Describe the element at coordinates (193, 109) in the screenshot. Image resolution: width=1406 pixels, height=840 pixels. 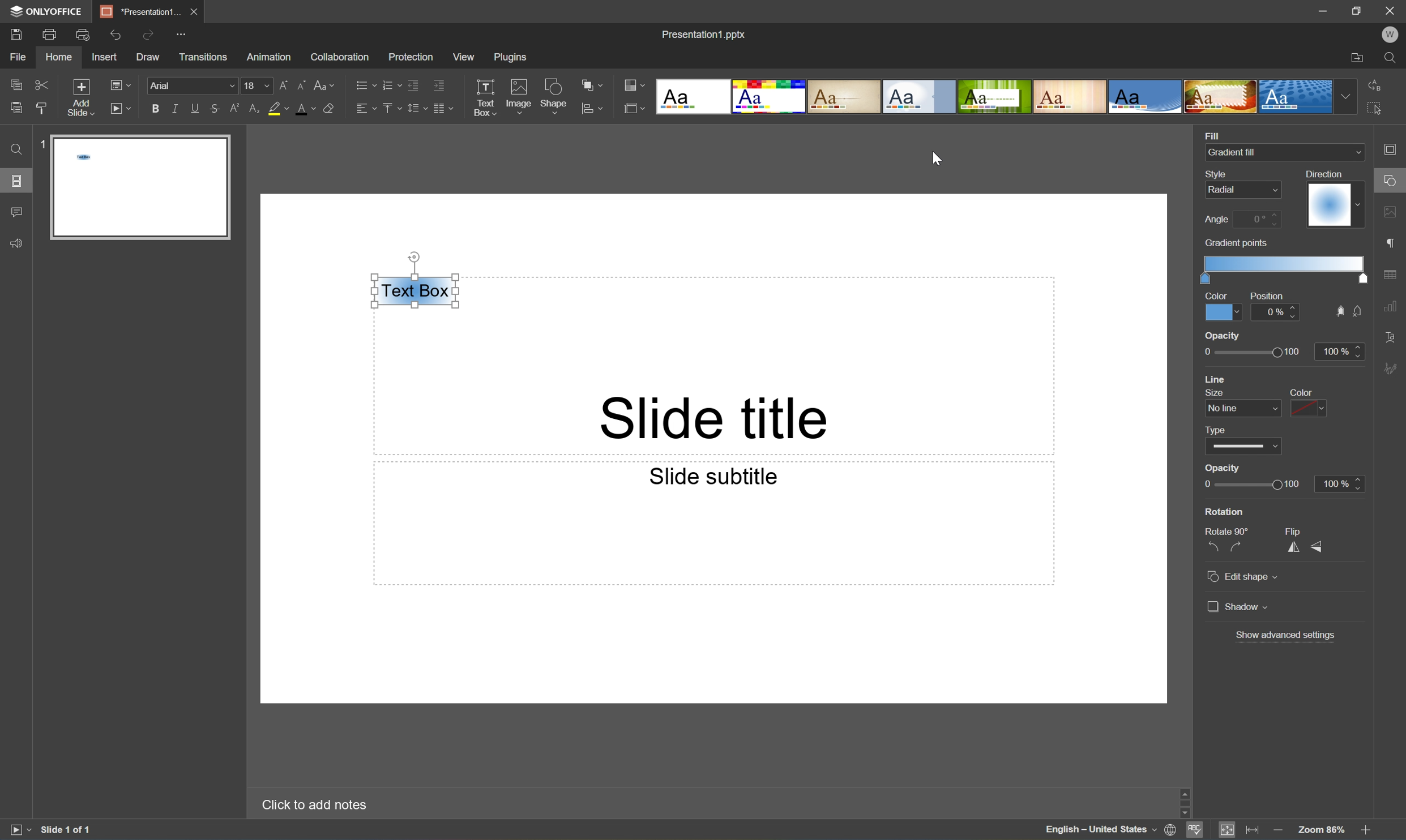
I see `Underline` at that location.